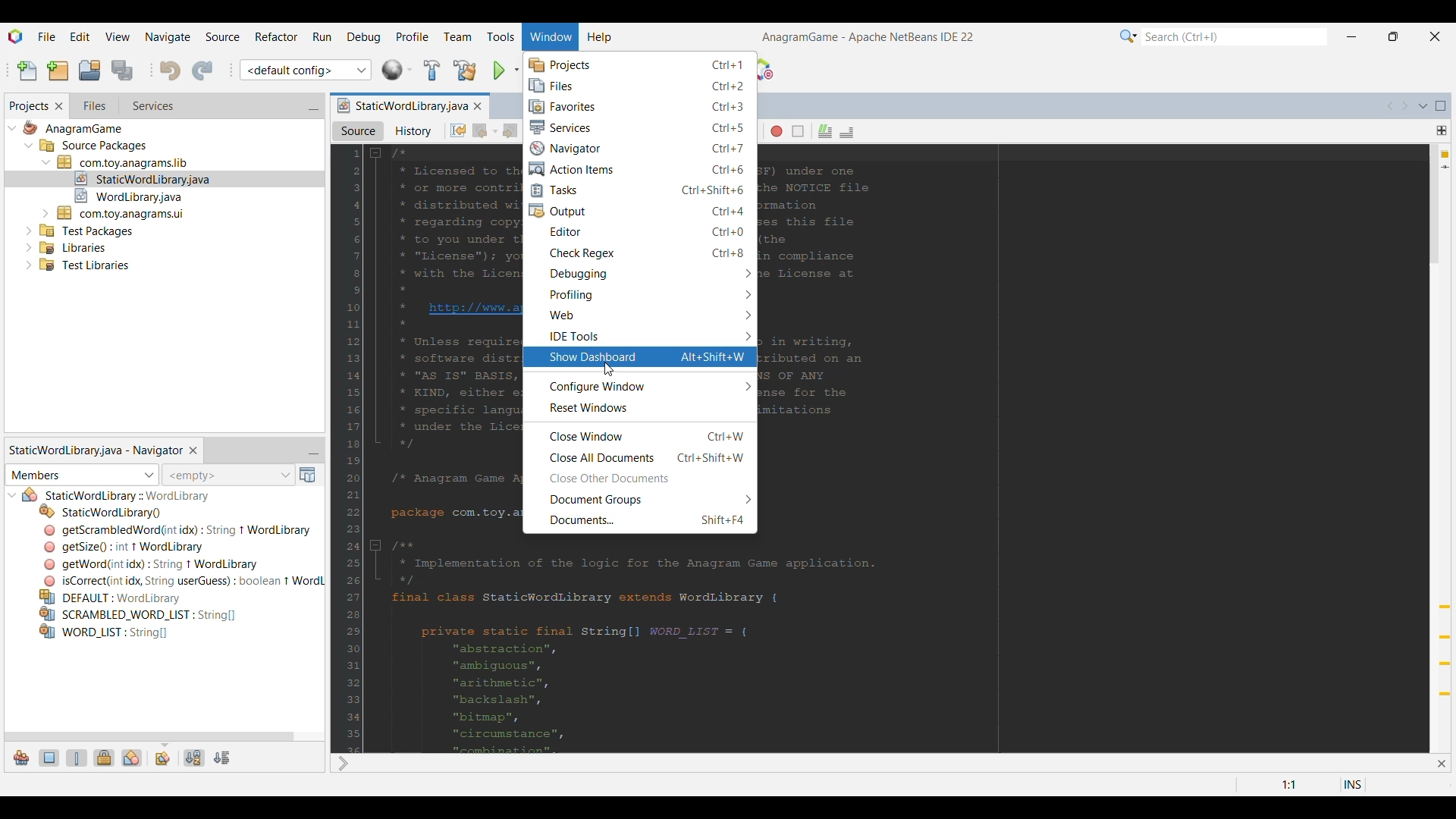 The height and width of the screenshot is (819, 1456). Describe the element at coordinates (458, 130) in the screenshot. I see `Last edit` at that location.